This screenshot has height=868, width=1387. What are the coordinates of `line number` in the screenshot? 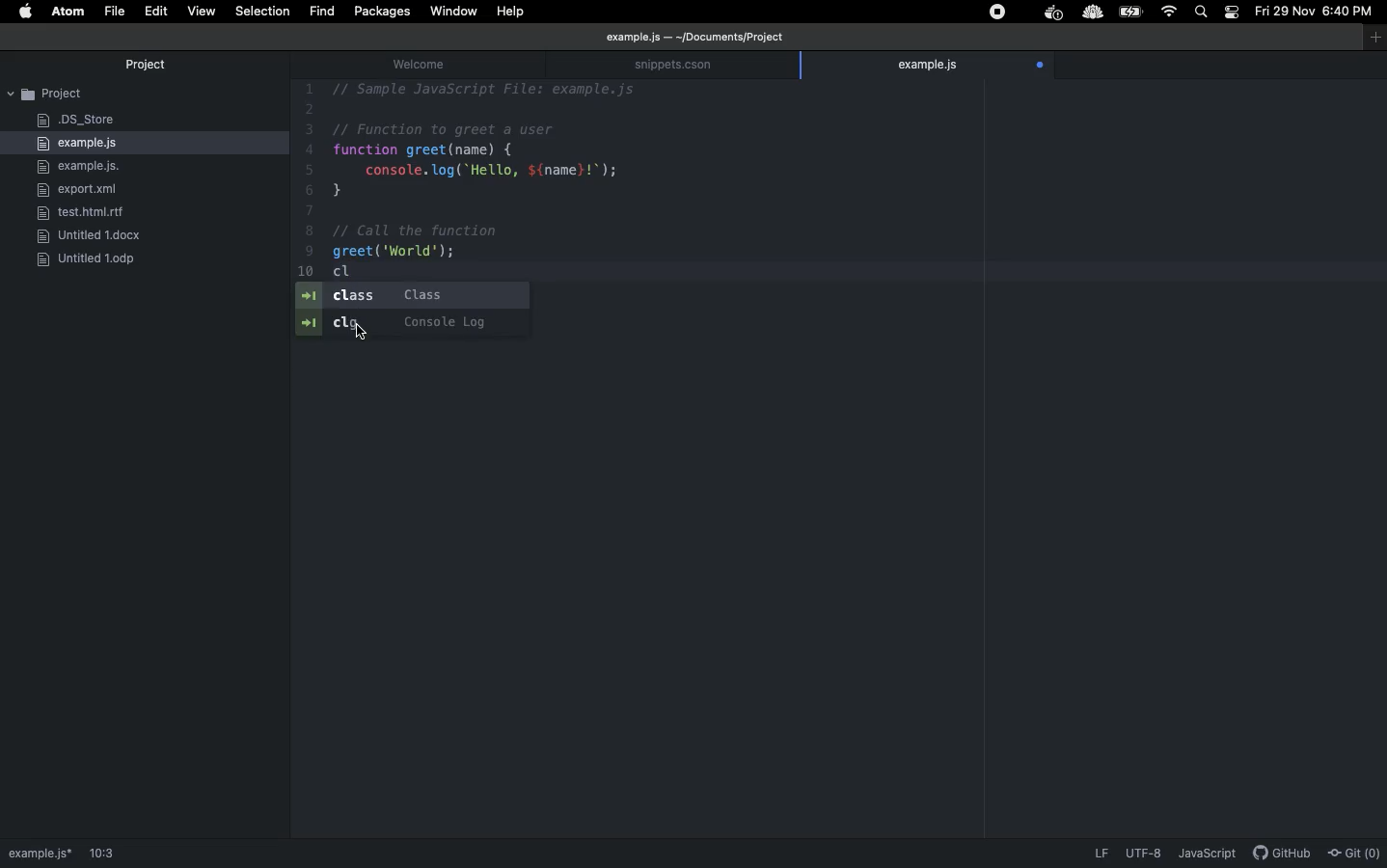 It's located at (307, 180).